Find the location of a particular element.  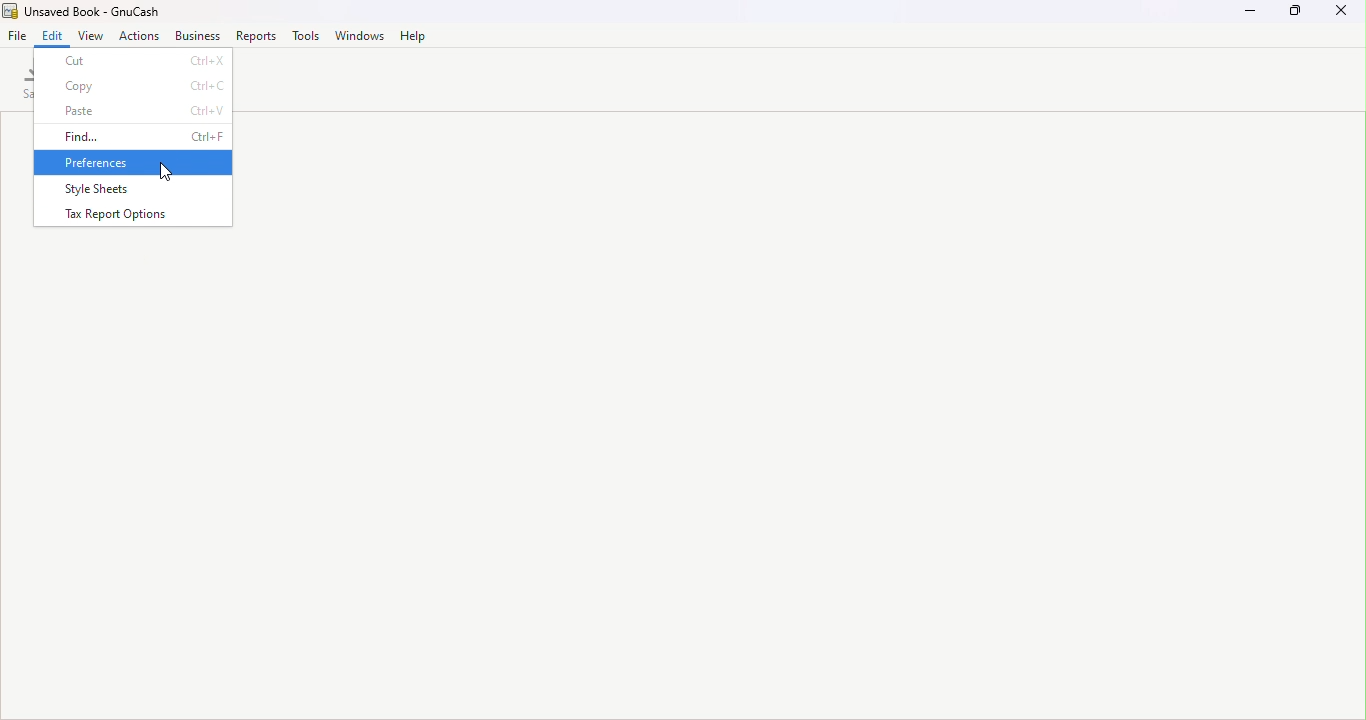

Find is located at coordinates (133, 137).